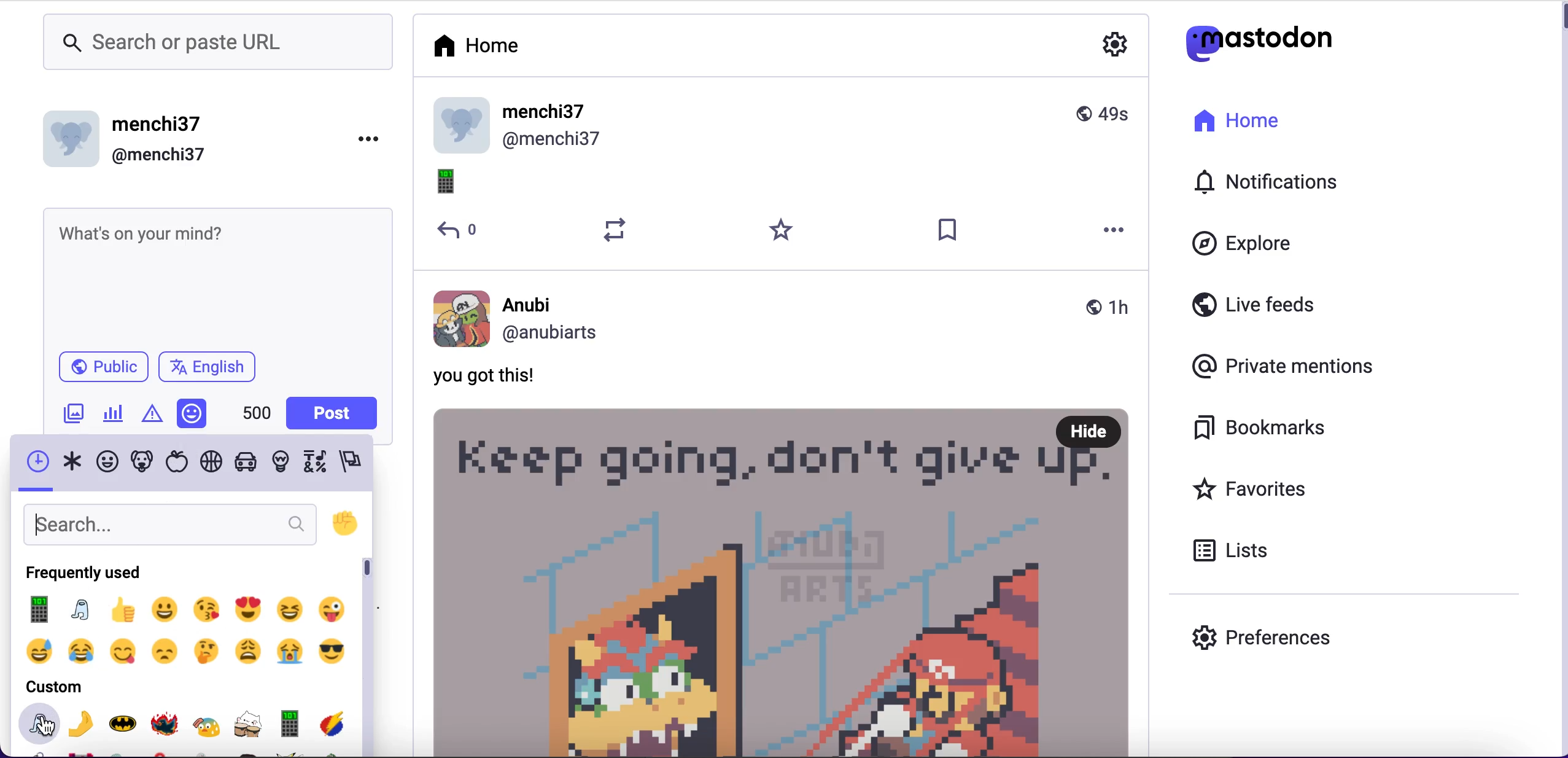  What do you see at coordinates (475, 50) in the screenshot?
I see `home` at bounding box center [475, 50].